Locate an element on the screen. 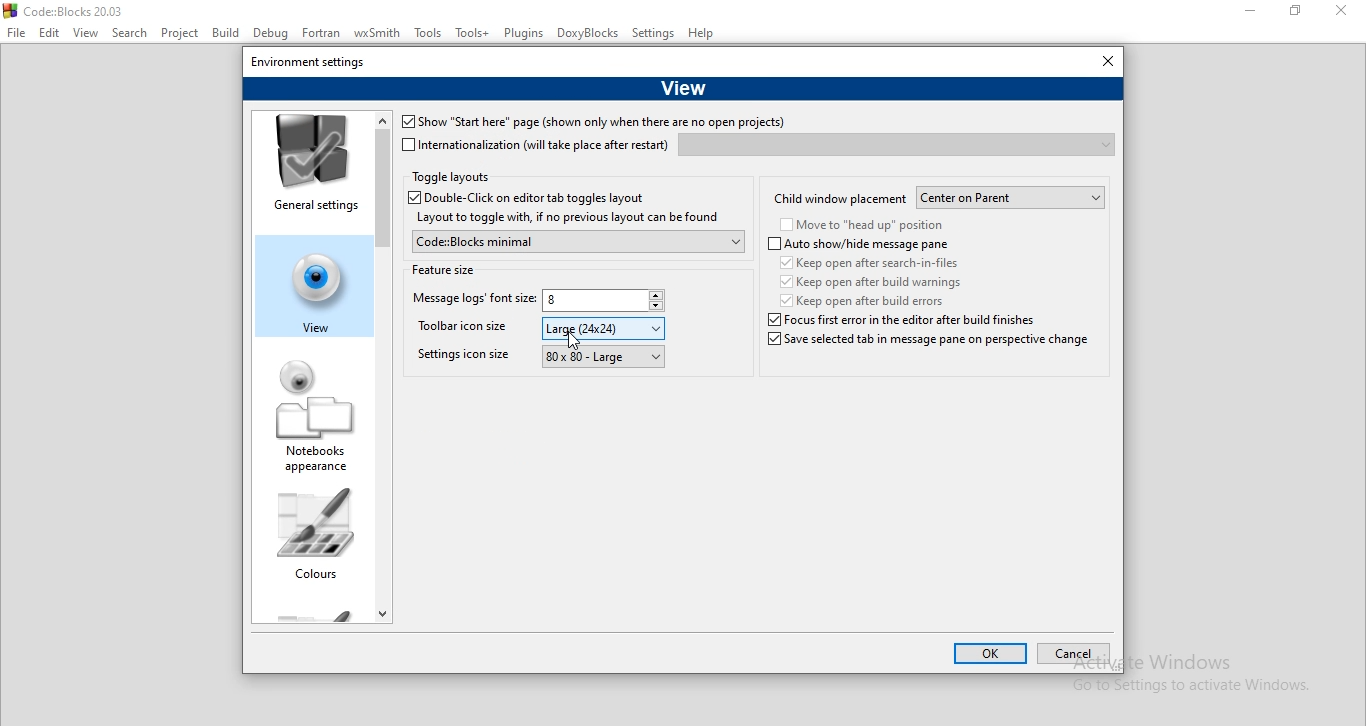 Image resolution: width=1366 pixels, height=726 pixels. Settings is located at coordinates (654, 34).